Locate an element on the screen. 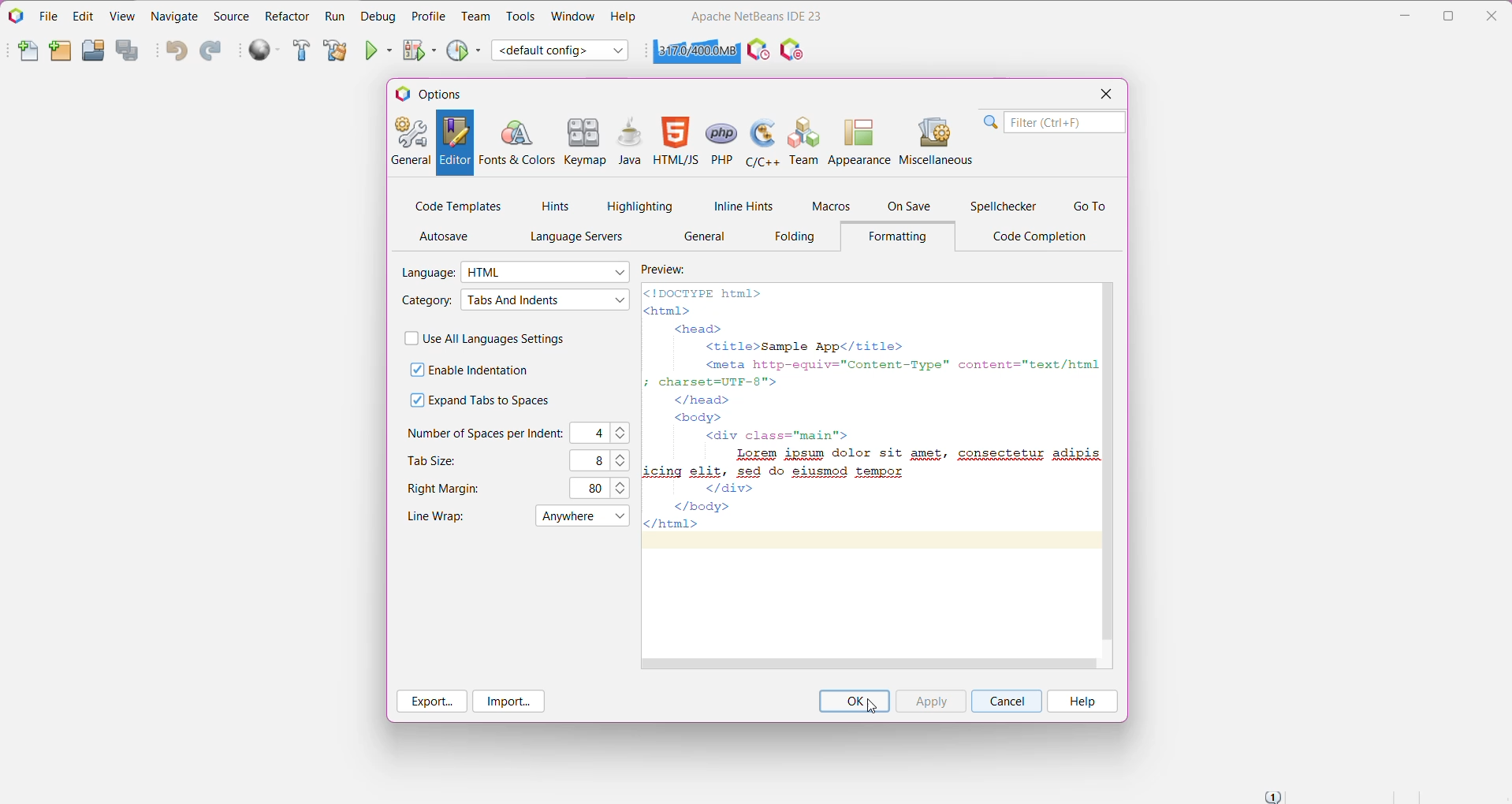 This screenshot has height=804, width=1512. <html> is located at coordinates (672, 311).